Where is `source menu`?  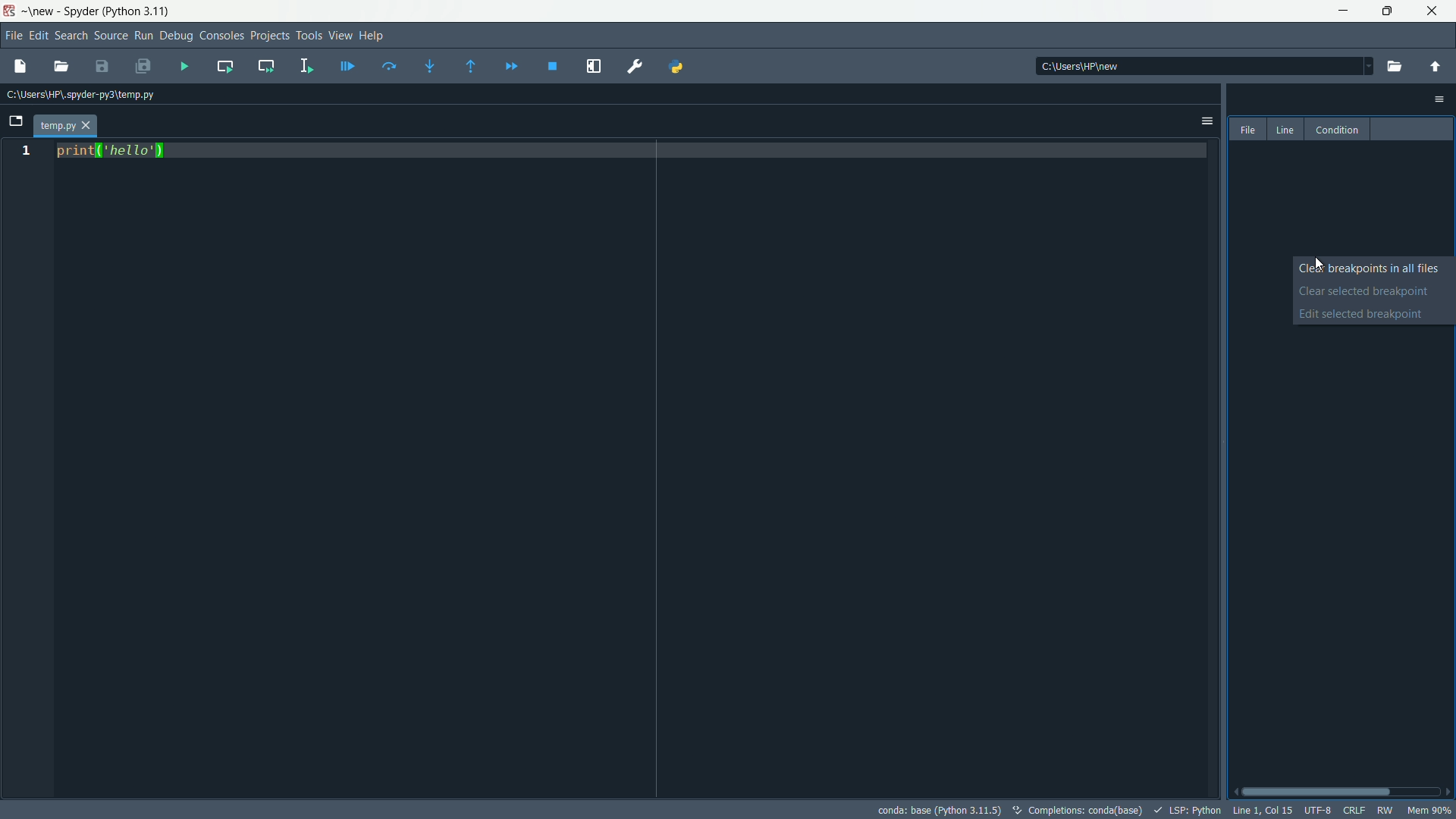
source menu is located at coordinates (111, 36).